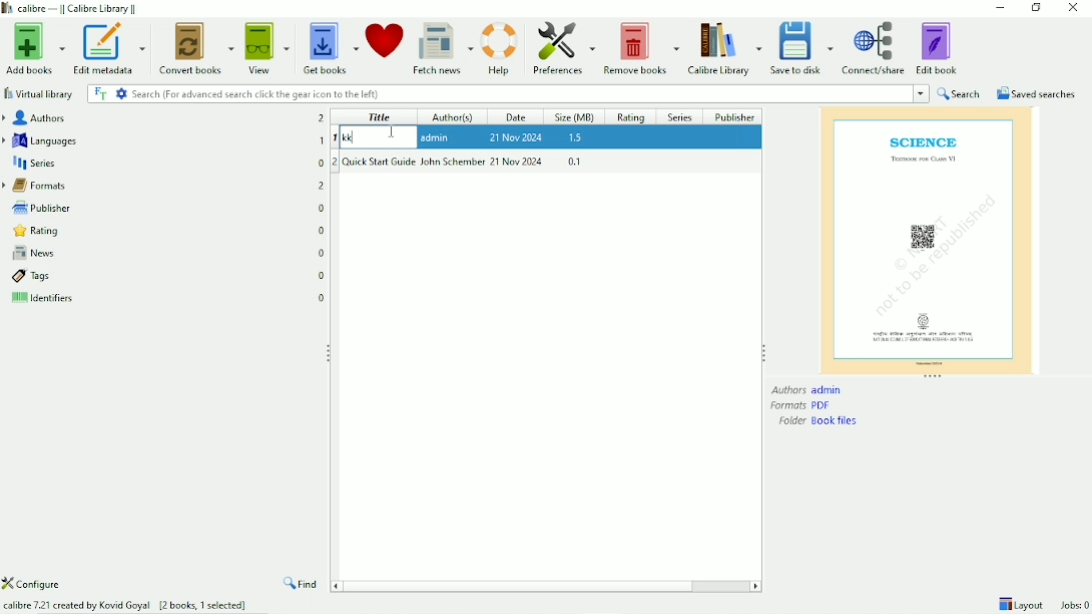 The height and width of the screenshot is (614, 1092). What do you see at coordinates (516, 136) in the screenshot?
I see `21 Nov 2024` at bounding box center [516, 136].